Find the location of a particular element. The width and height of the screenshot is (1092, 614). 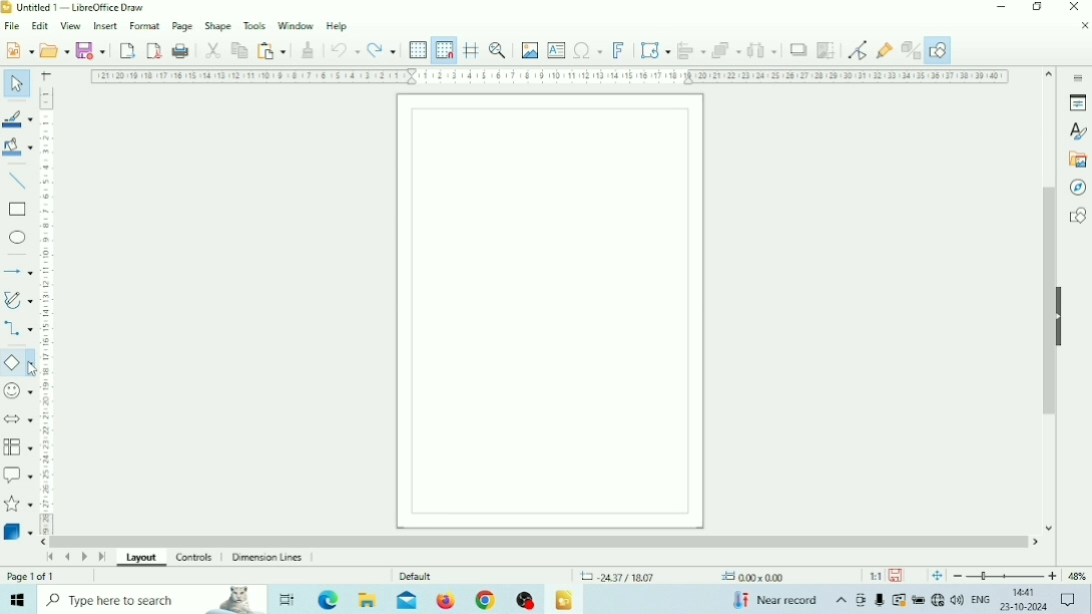

Dimension Lines is located at coordinates (270, 558).